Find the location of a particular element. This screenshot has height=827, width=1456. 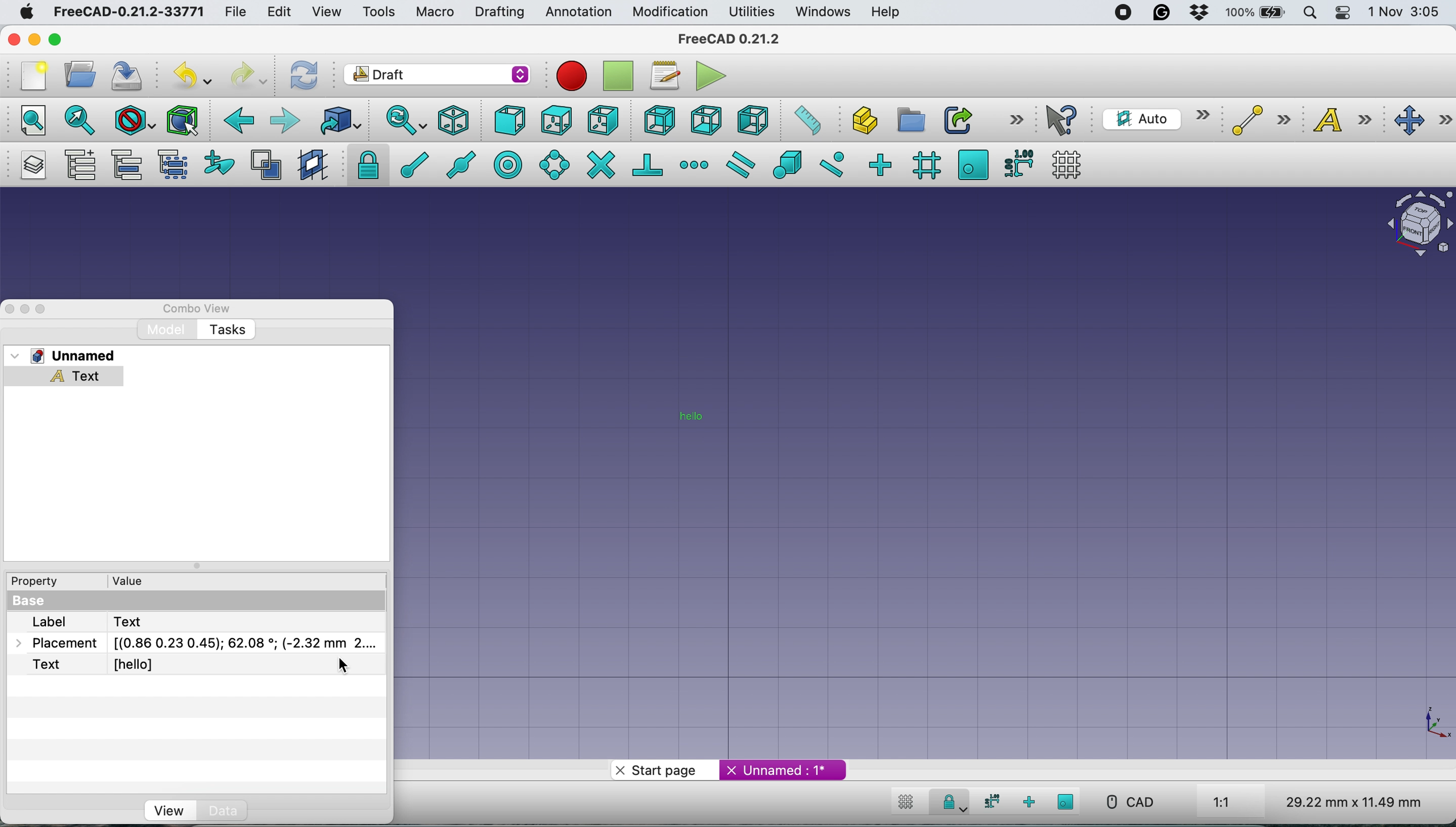

execute macros is located at coordinates (709, 77).